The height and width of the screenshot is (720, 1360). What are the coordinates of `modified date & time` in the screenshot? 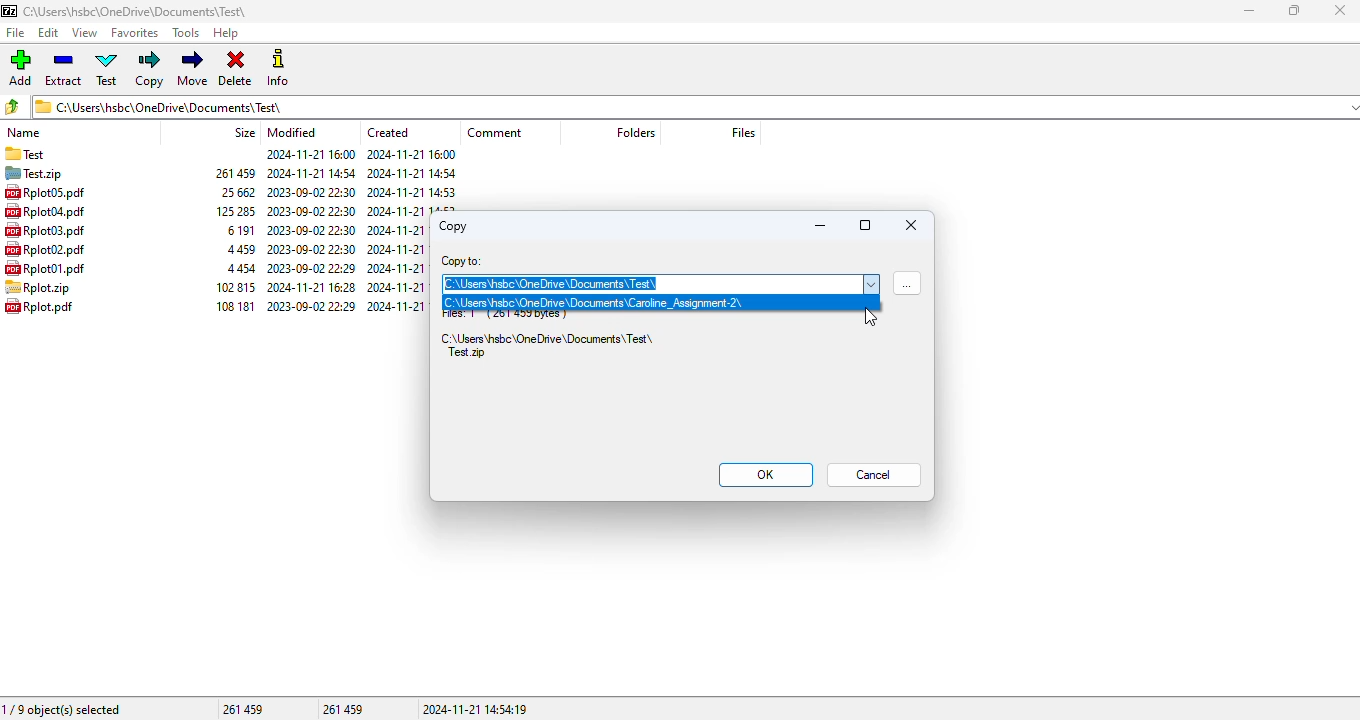 It's located at (311, 306).